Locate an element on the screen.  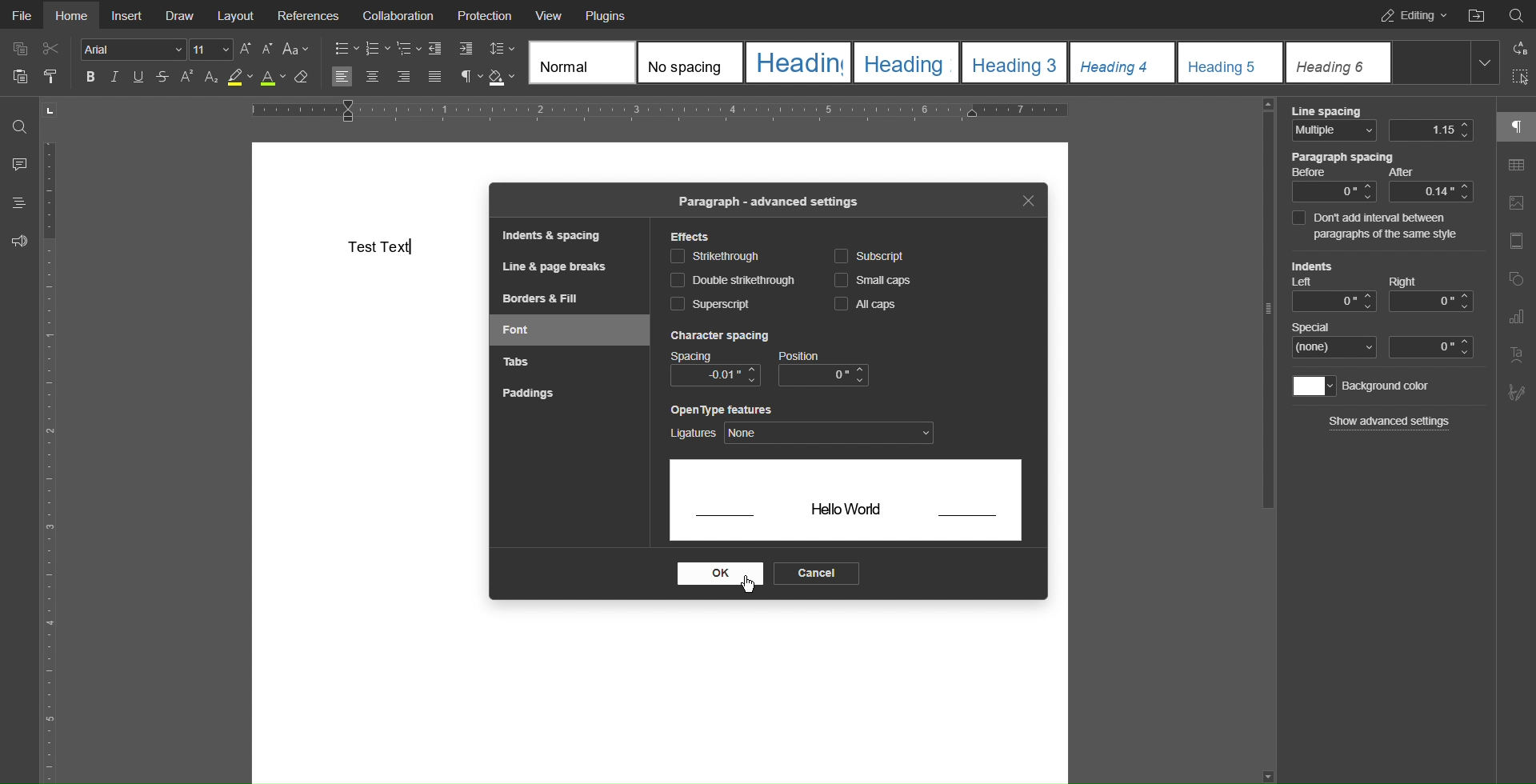
Text Color is located at coordinates (273, 78).